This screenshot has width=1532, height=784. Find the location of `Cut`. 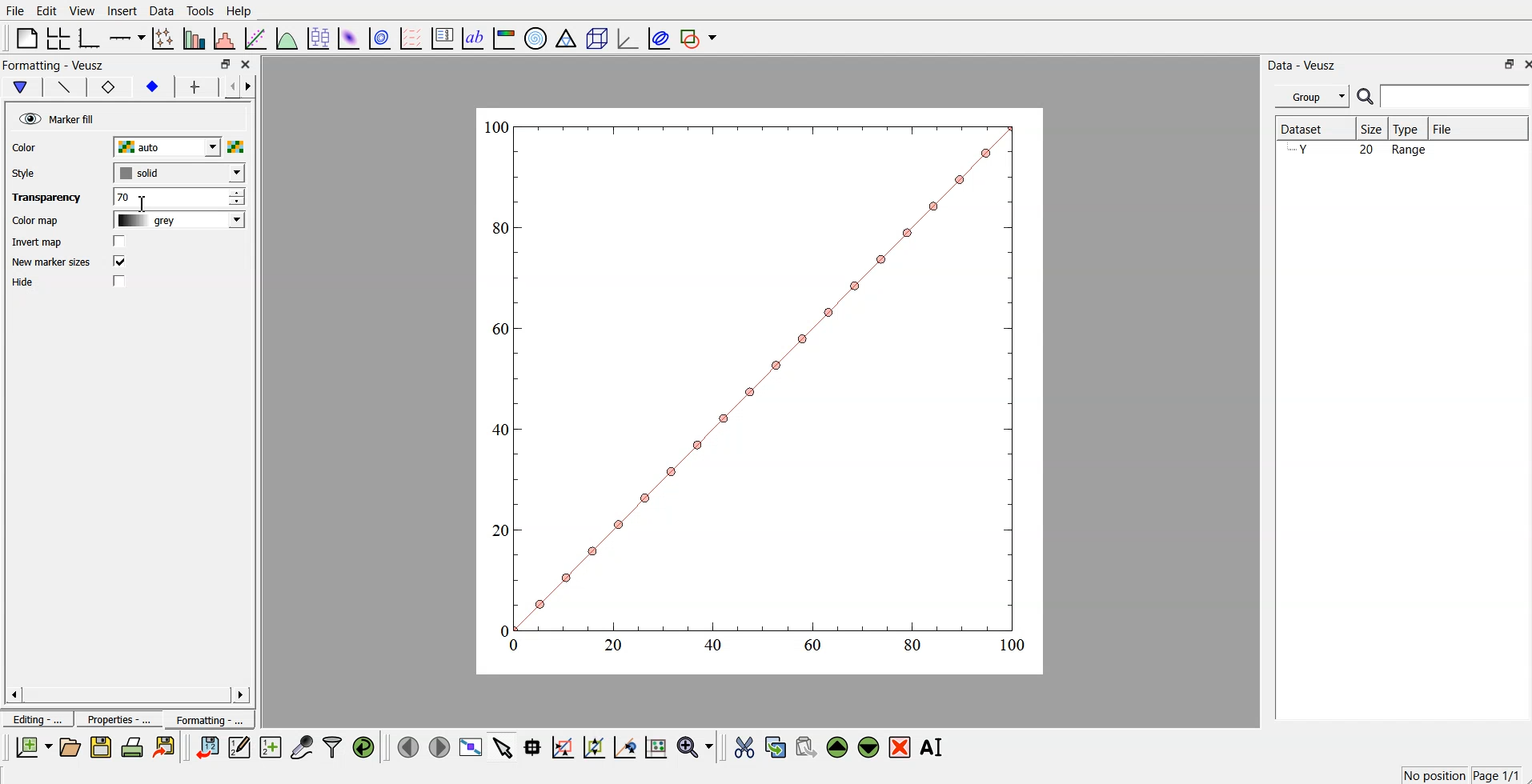

Cut is located at coordinates (744, 746).